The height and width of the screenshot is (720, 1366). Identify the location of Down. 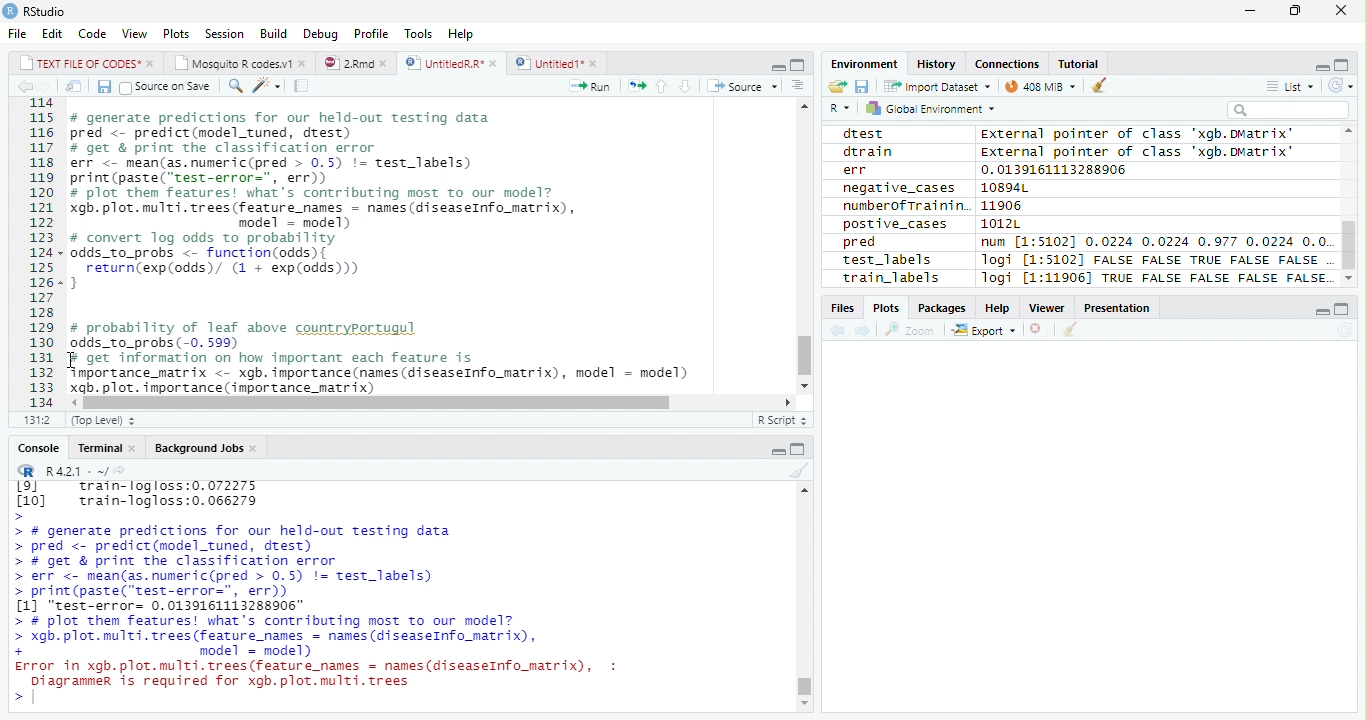
(685, 85).